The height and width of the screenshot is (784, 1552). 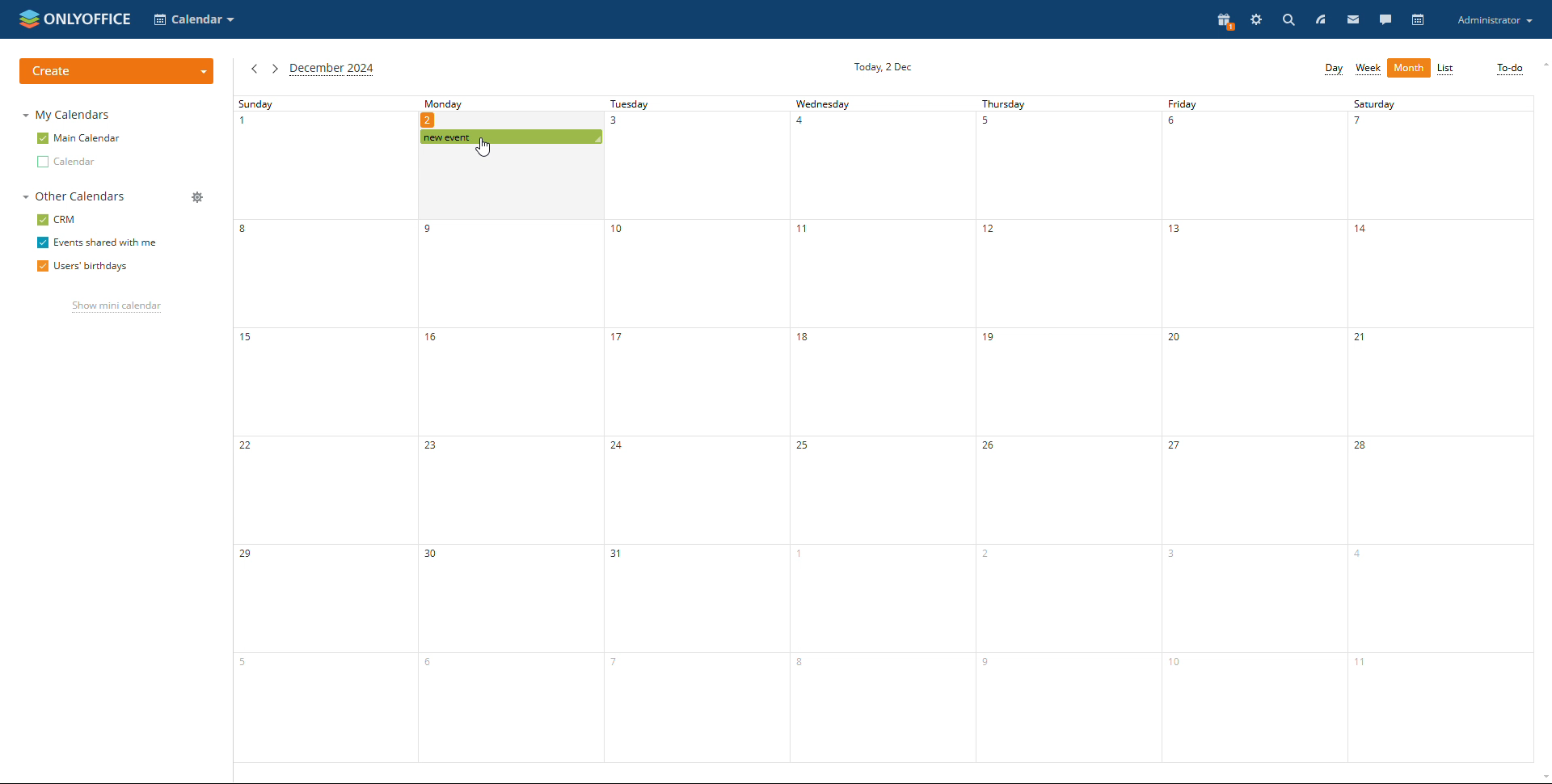 I want to click on users' birthdays, so click(x=82, y=266).